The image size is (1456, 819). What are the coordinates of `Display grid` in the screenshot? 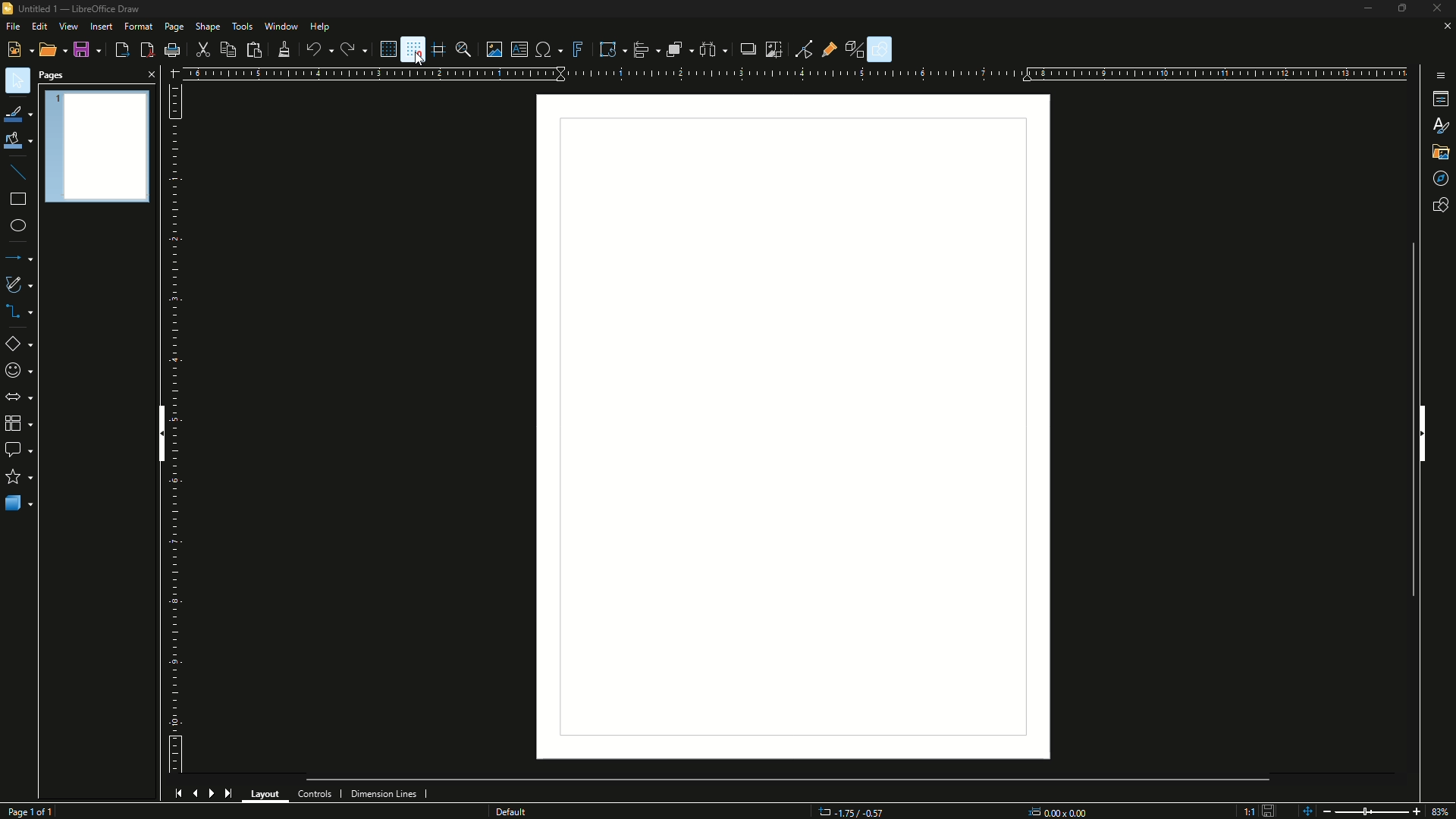 It's located at (381, 49).